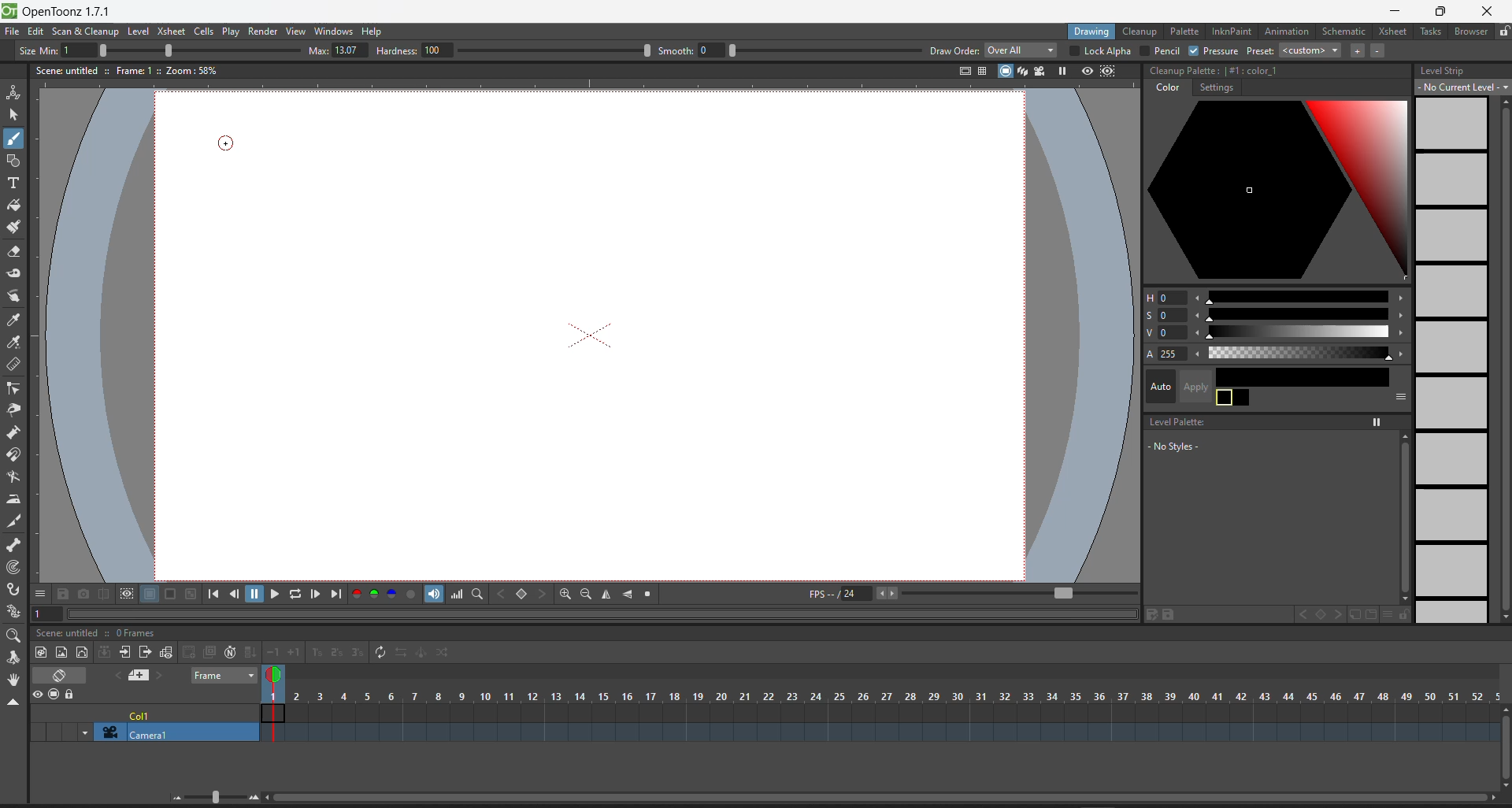  I want to click on previous key, so click(1295, 614).